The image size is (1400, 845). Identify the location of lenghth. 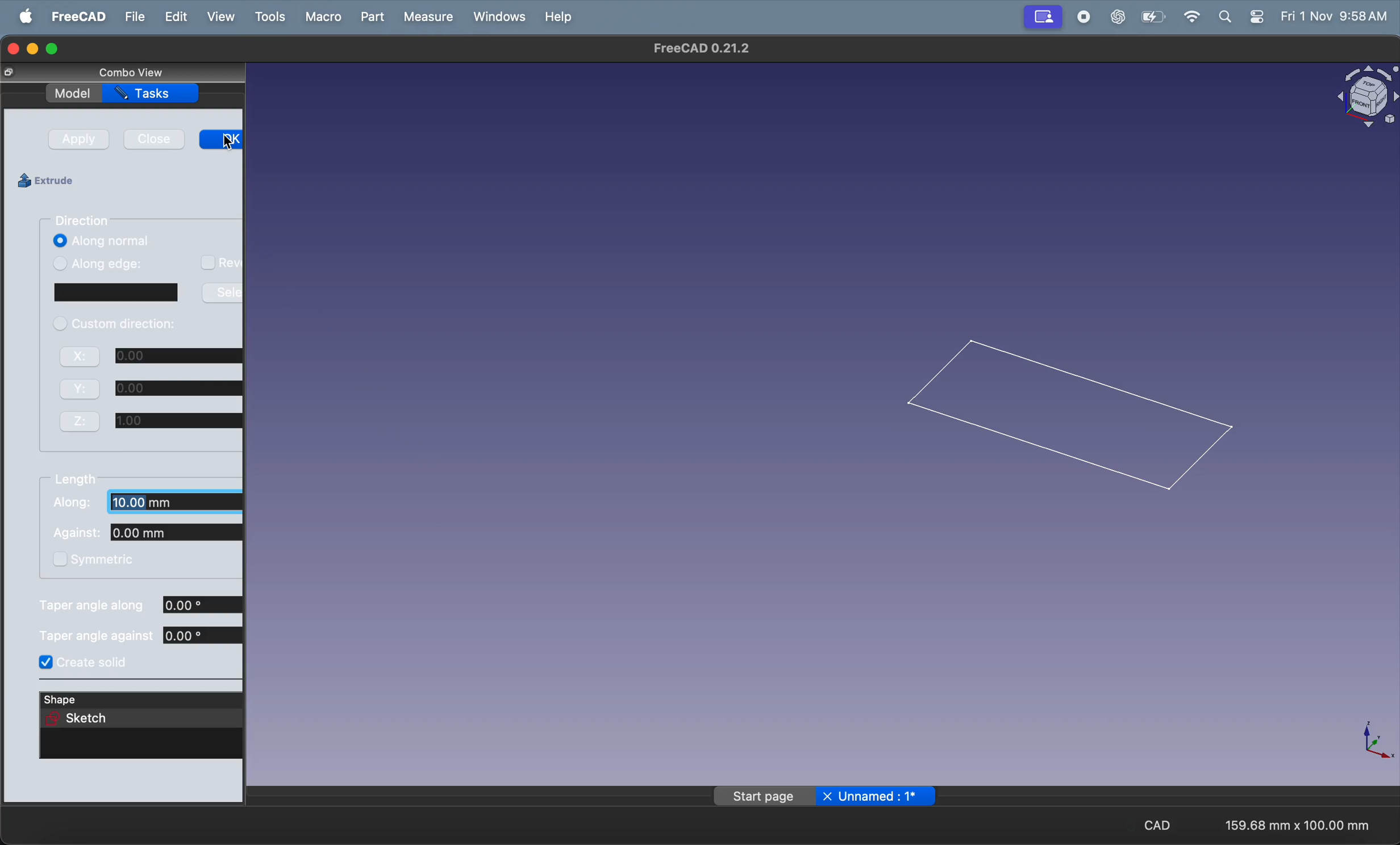
(84, 480).